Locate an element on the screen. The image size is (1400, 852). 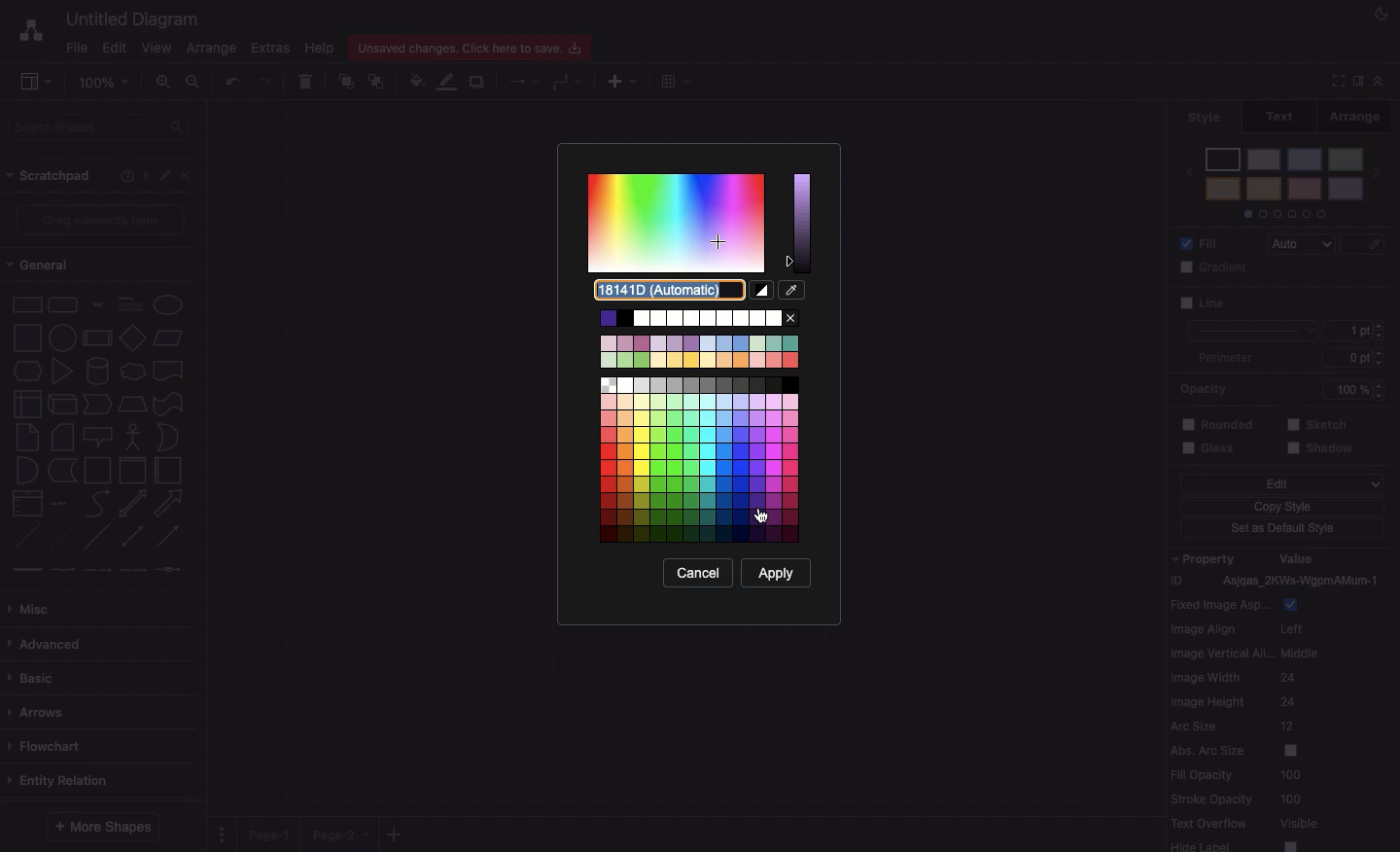
Add is located at coordinates (142, 175).